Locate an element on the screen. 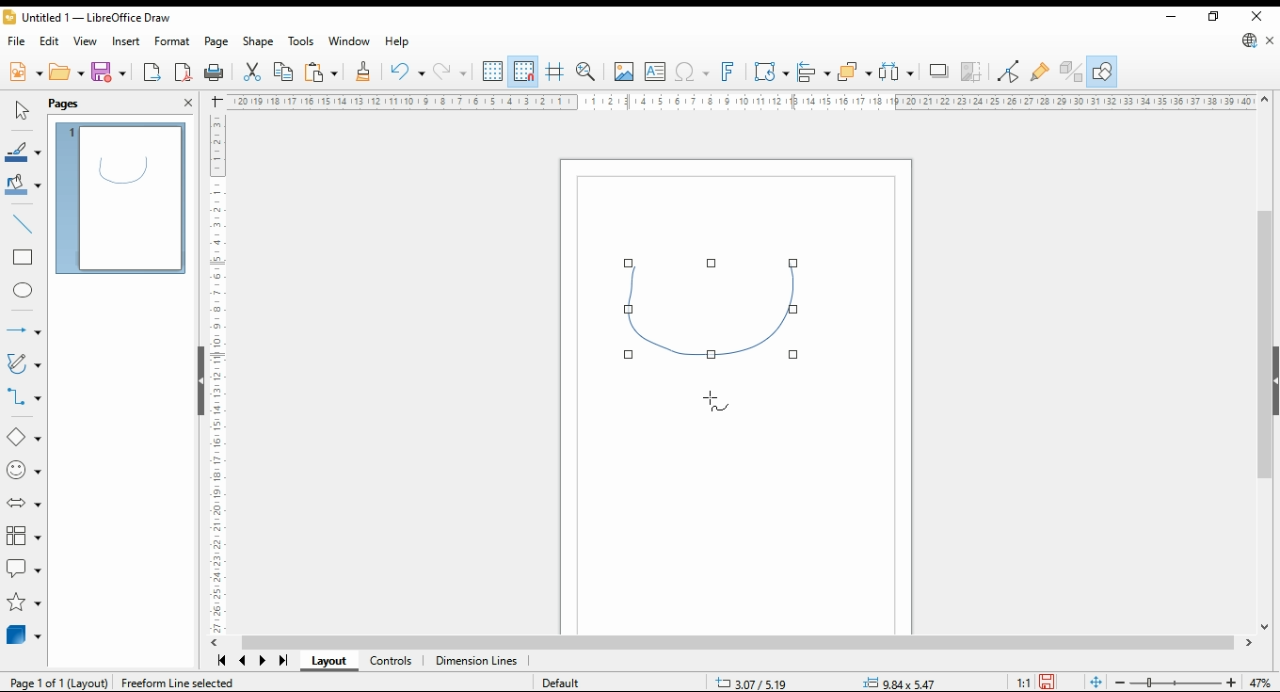 This screenshot has height=692, width=1280. -20.93/13.41 is located at coordinates (756, 683).